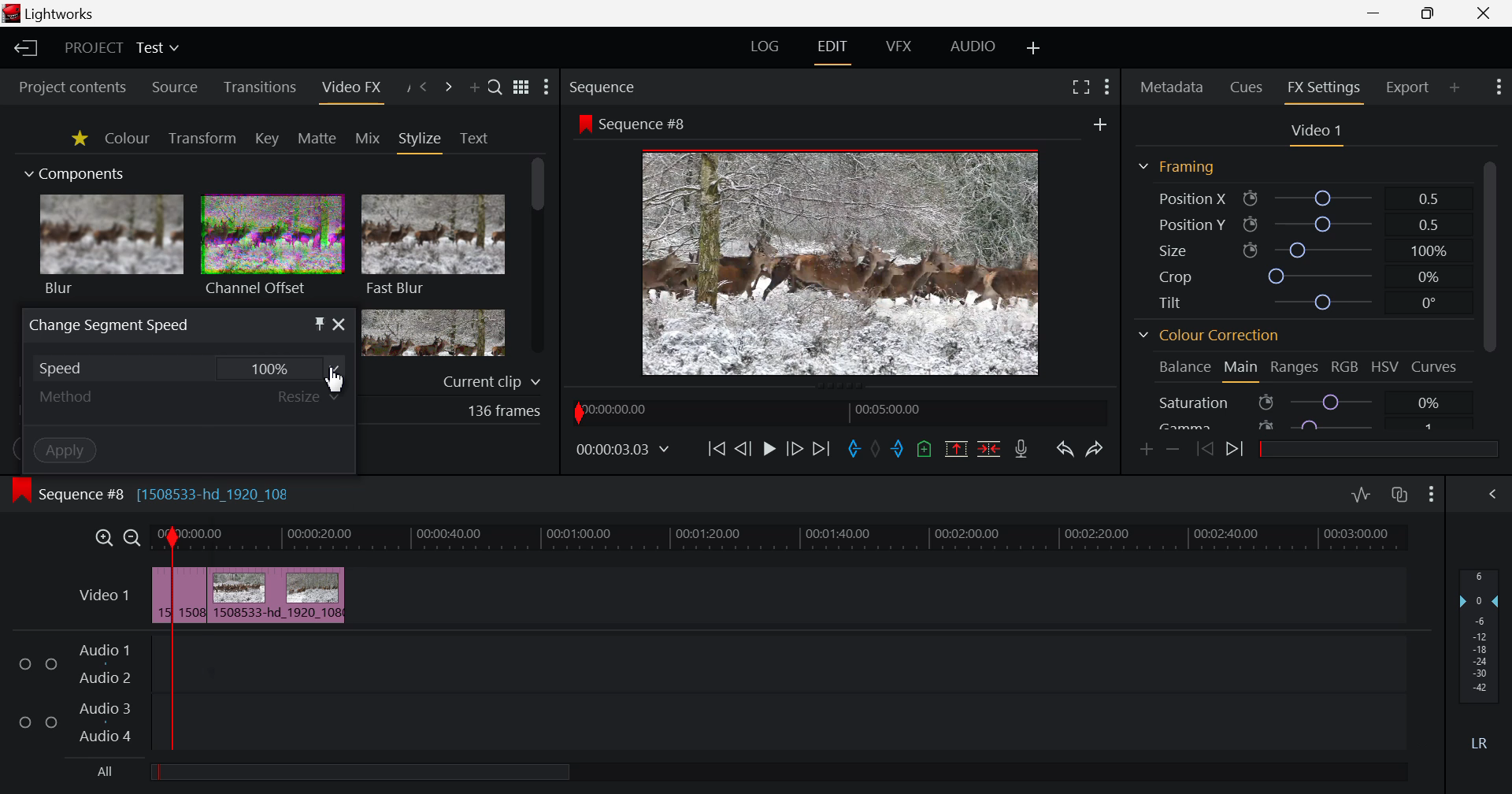 The image size is (1512, 794). Describe the element at coordinates (424, 87) in the screenshot. I see `Previous Panel` at that location.